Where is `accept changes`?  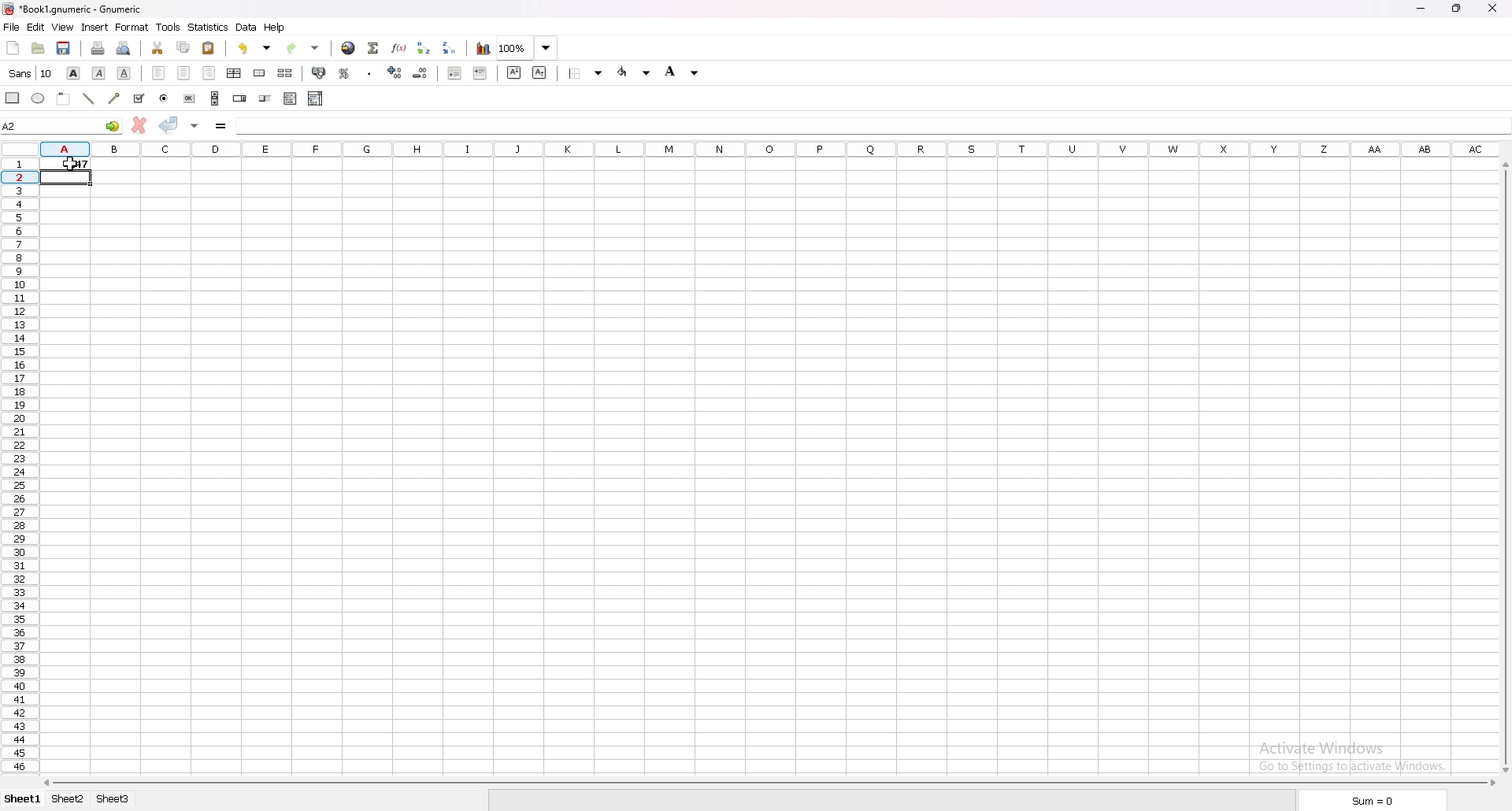 accept changes is located at coordinates (169, 124).